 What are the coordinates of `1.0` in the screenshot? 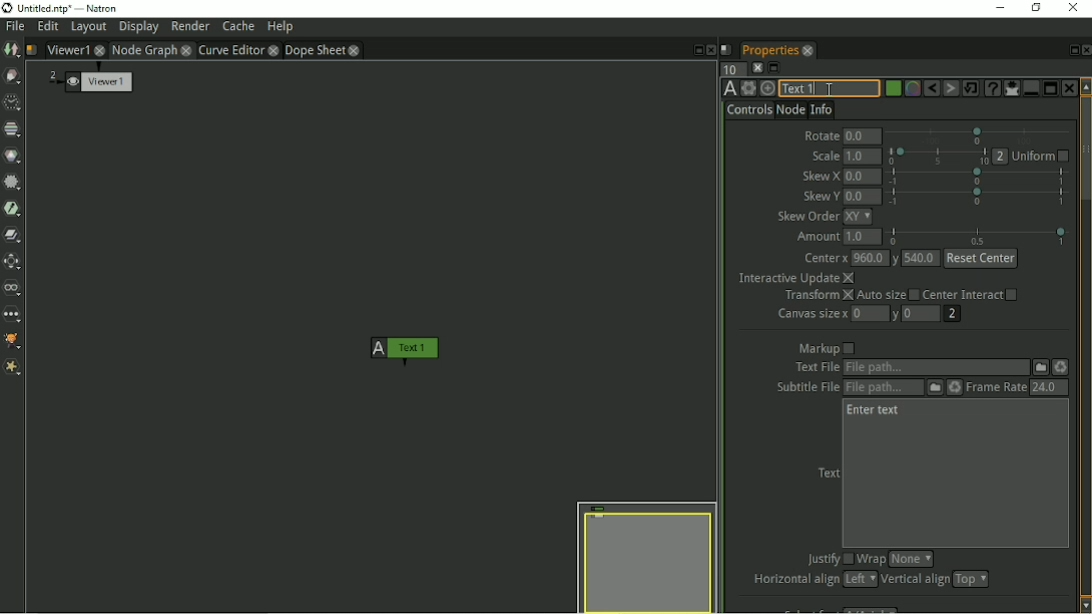 It's located at (863, 156).